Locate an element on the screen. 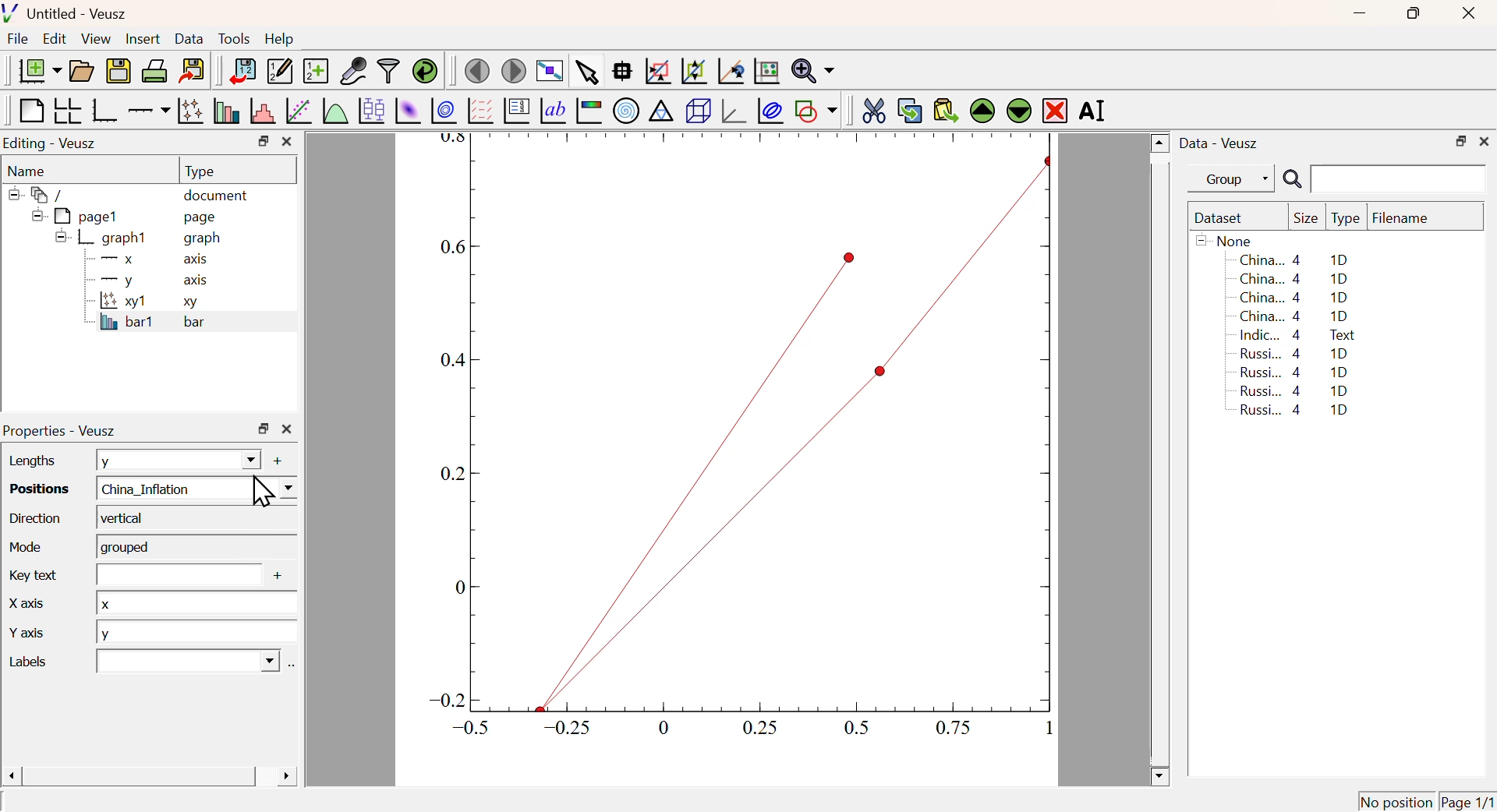 This screenshot has width=1497, height=812. Capture Remote Data is located at coordinates (354, 69).